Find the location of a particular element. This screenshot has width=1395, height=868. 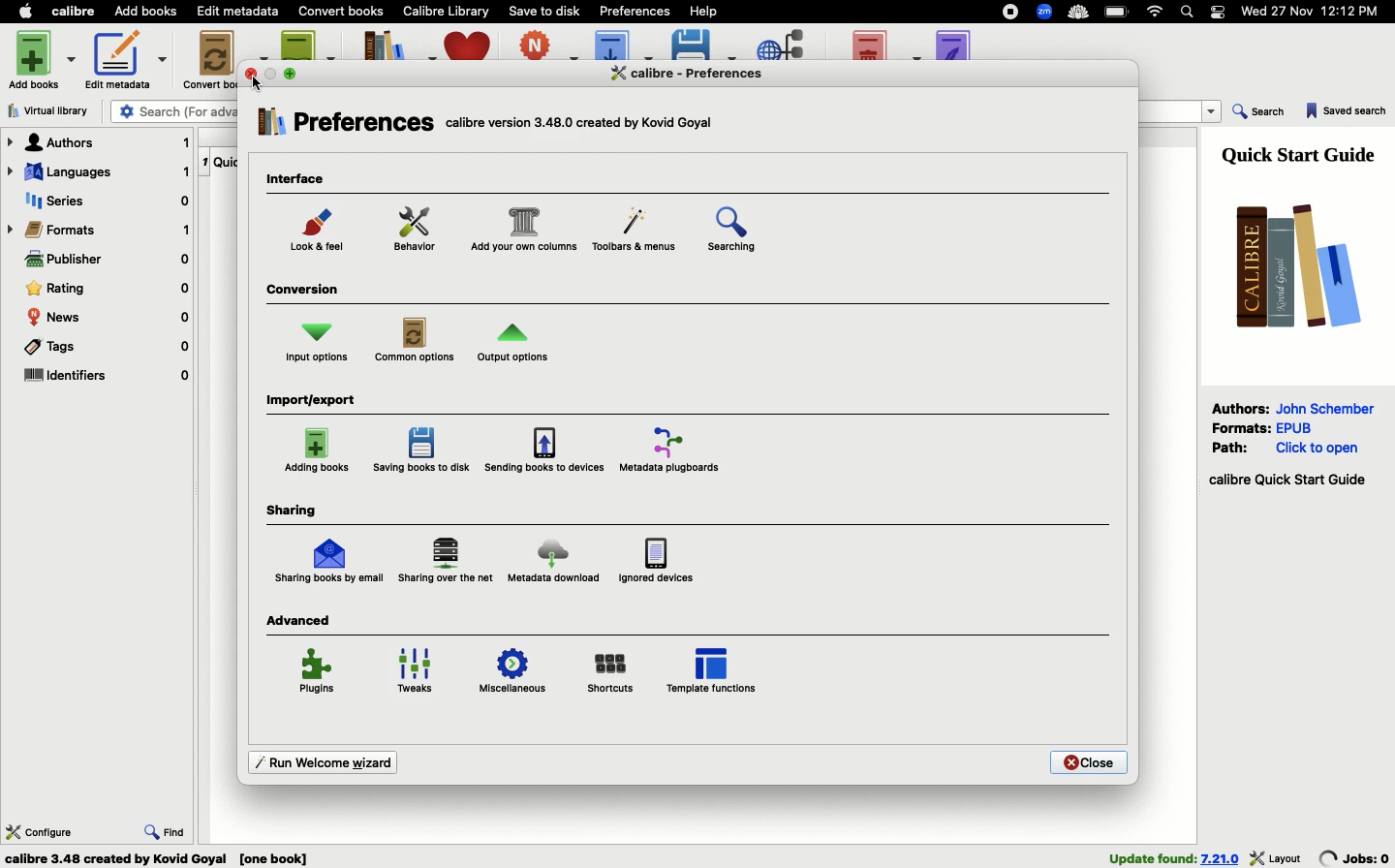

Charge is located at coordinates (1118, 13).